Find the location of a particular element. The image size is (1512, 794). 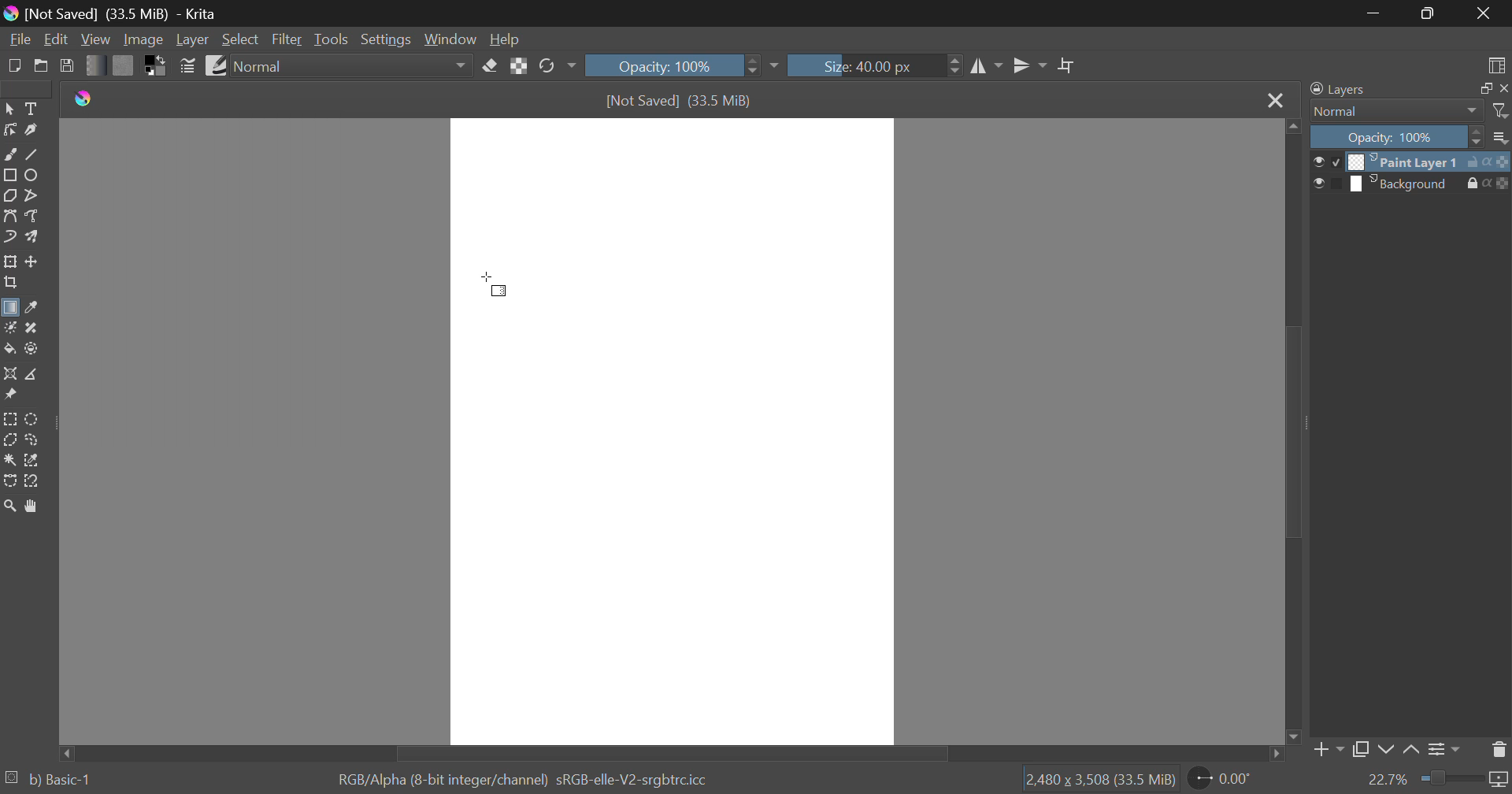

Eyedropper is located at coordinates (30, 309).